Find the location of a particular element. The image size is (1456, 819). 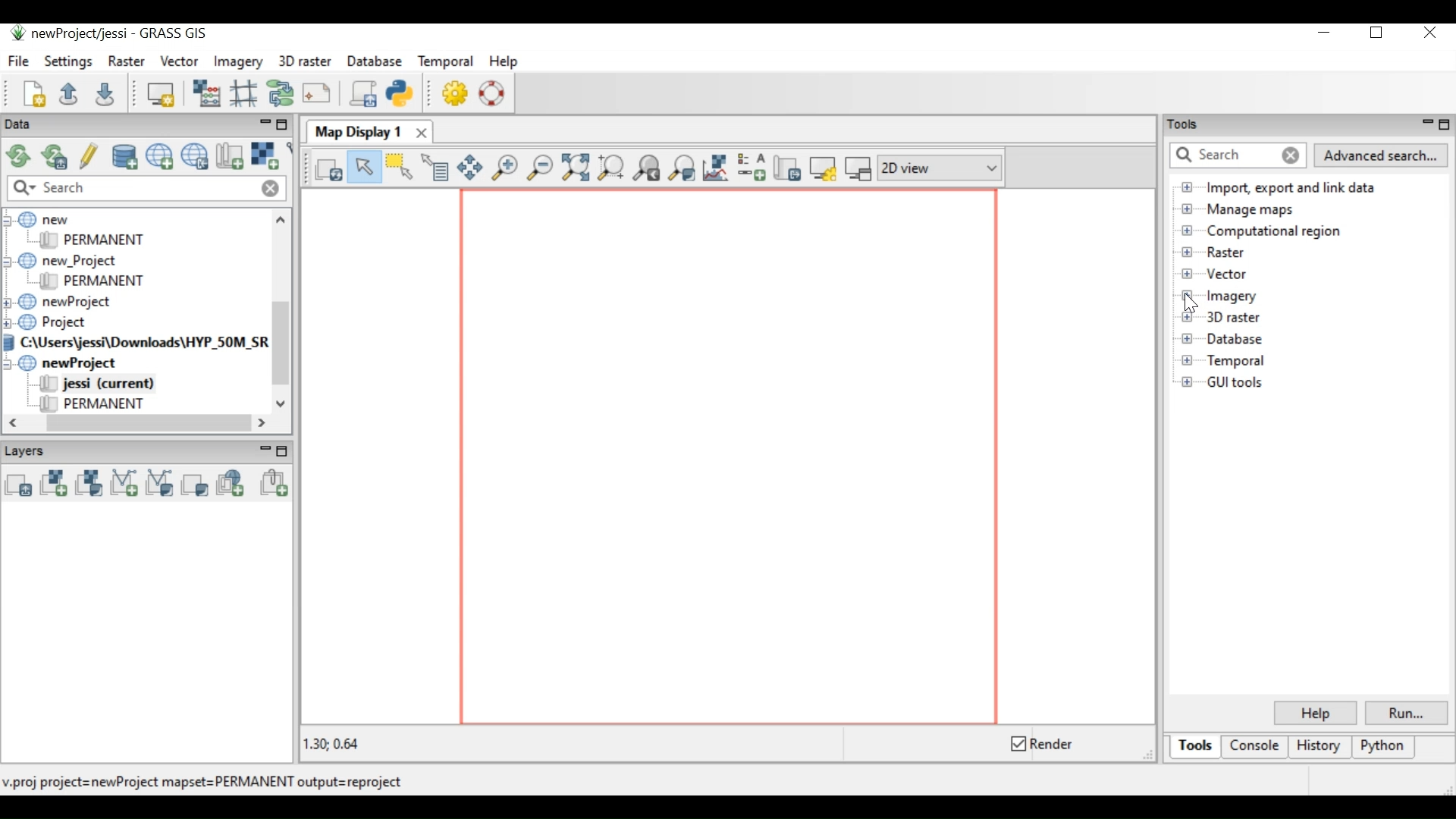

(un)dock is located at coordinates (859, 168).